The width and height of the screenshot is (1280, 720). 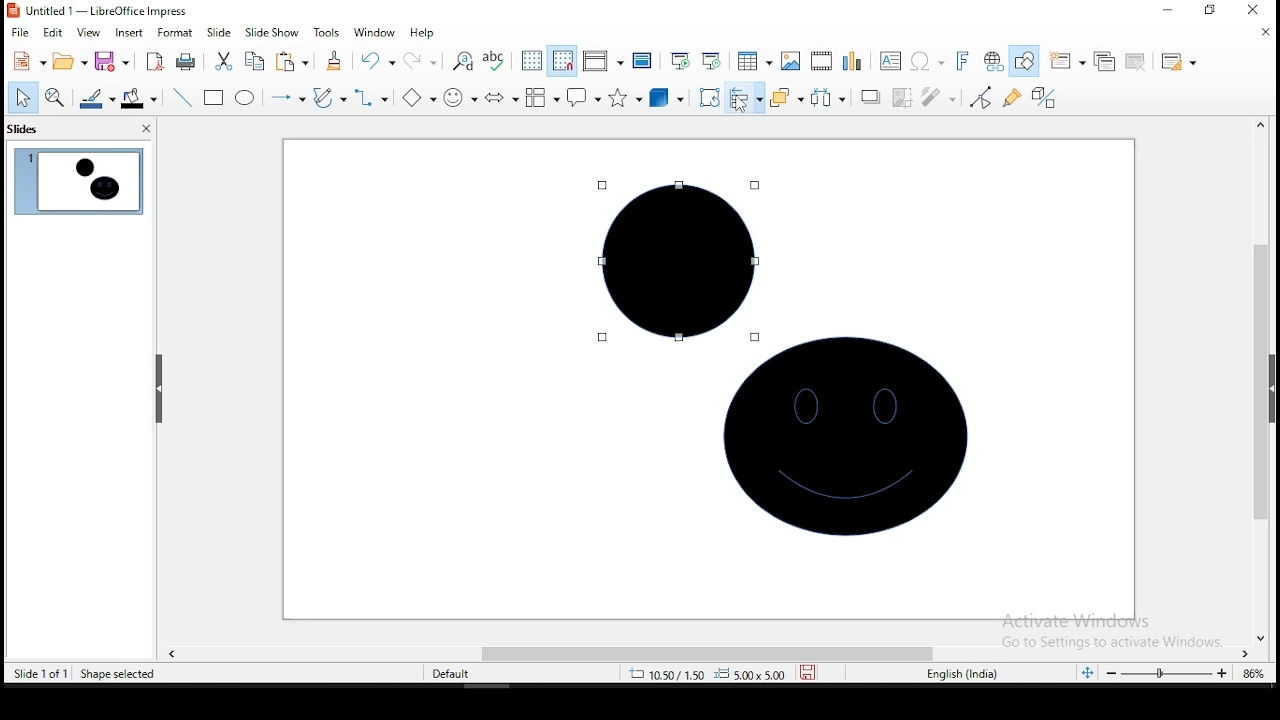 I want to click on close pane, so click(x=144, y=130).